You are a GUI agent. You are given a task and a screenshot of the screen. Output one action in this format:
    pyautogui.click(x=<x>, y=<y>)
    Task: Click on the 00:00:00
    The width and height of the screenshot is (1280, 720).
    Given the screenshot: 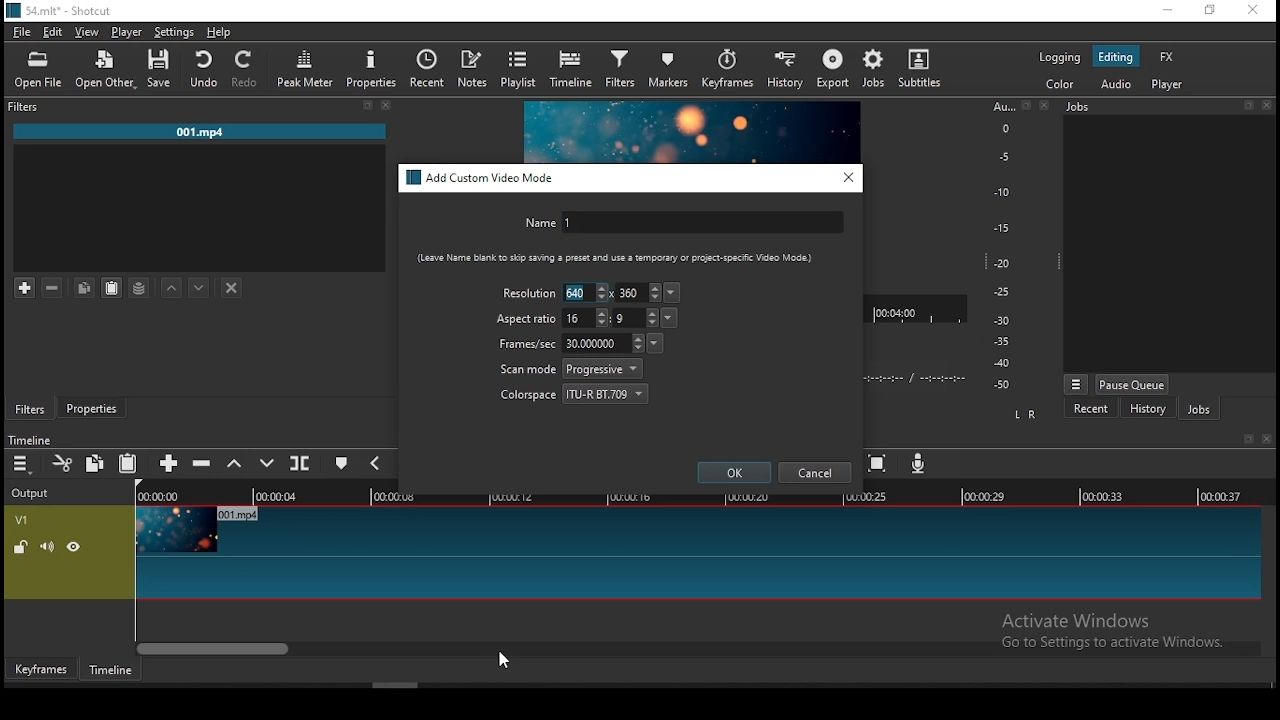 What is the action you would take?
    pyautogui.click(x=155, y=496)
    